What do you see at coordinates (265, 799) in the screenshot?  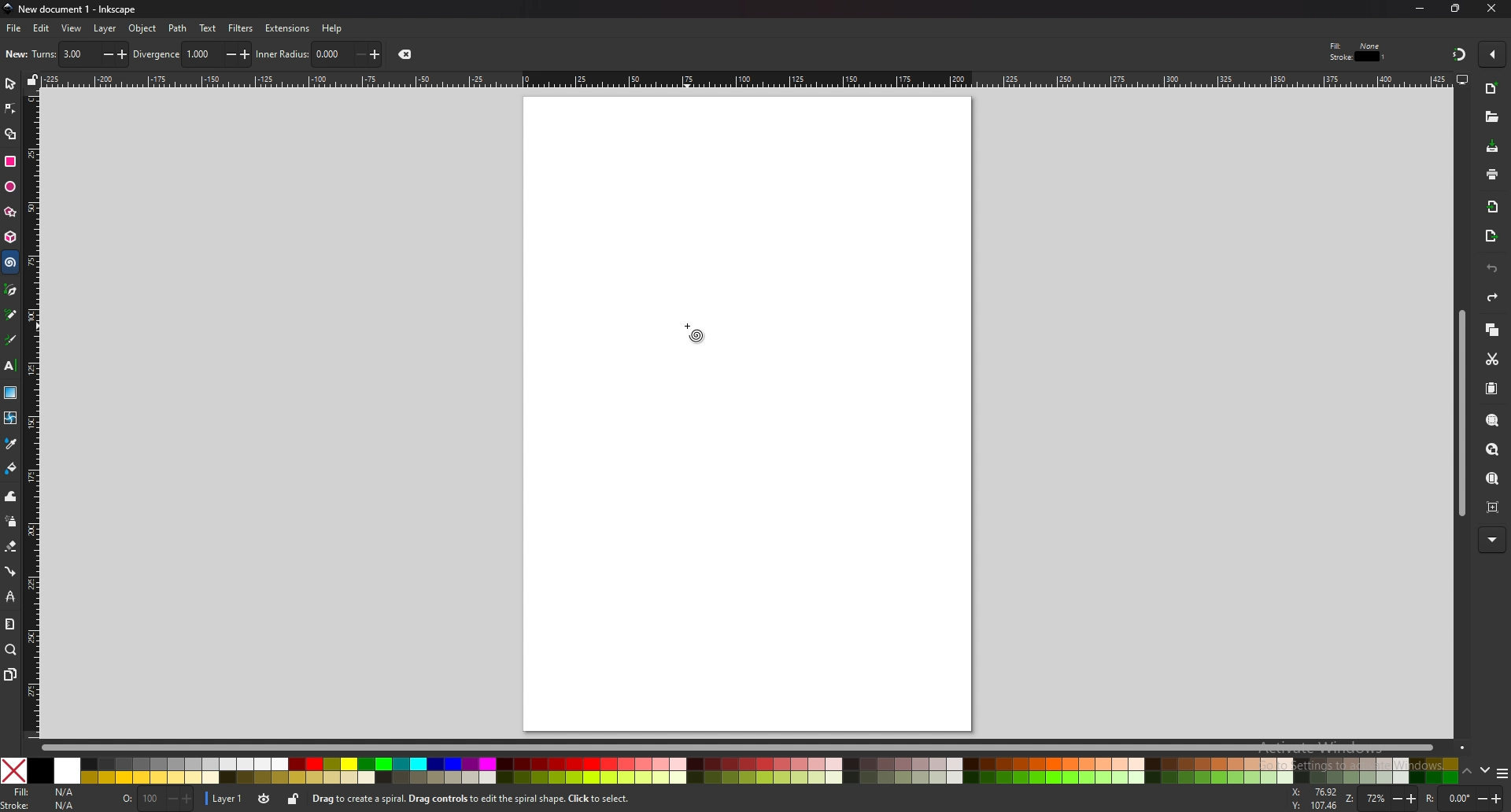 I see `toggle current layer visibility` at bounding box center [265, 799].